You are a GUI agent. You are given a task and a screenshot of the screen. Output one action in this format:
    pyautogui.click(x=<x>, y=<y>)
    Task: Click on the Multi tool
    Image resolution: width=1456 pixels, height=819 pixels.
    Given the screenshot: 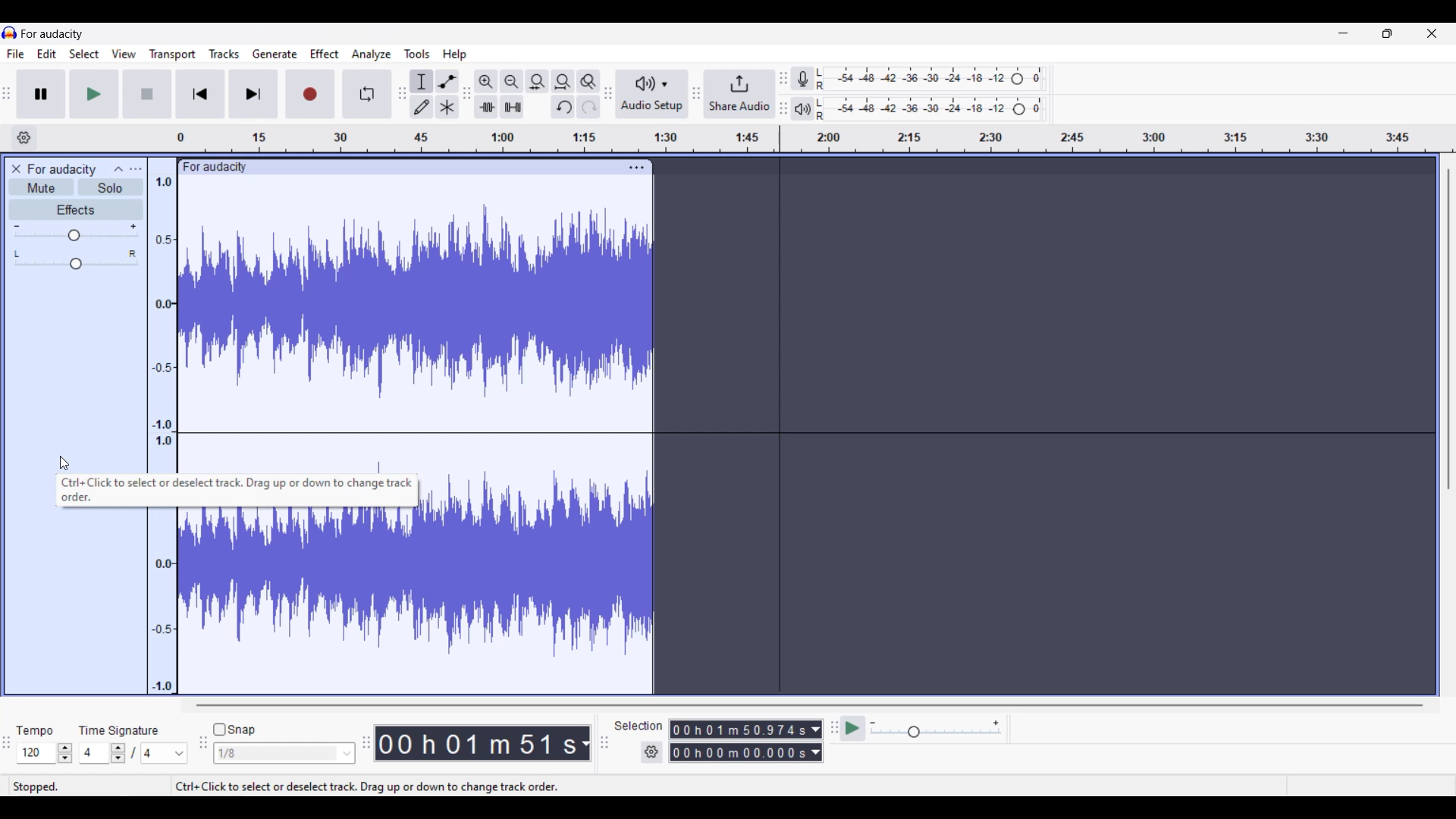 What is the action you would take?
    pyautogui.click(x=447, y=107)
    